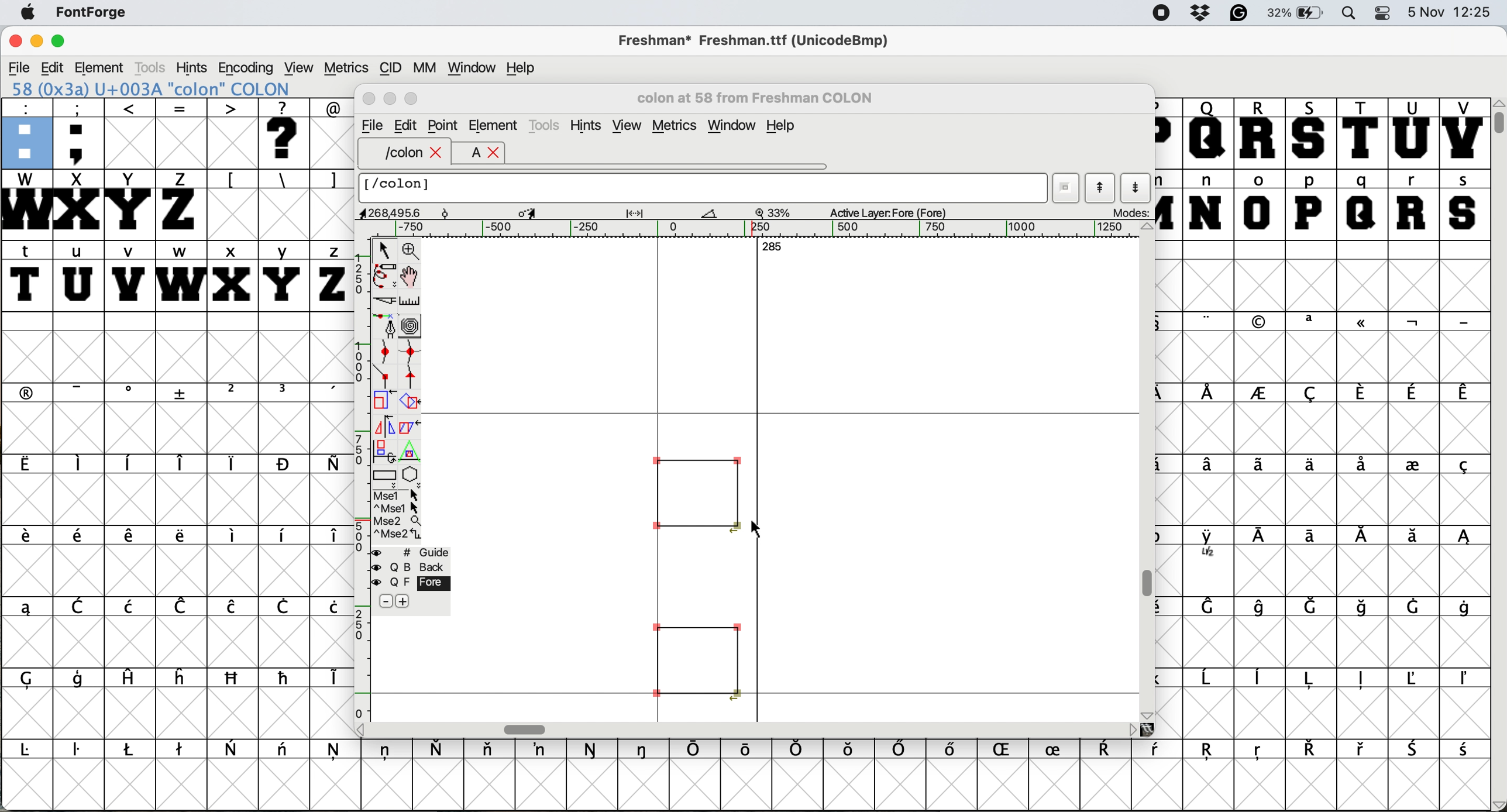  I want to click on add a curve point horizontal or vertical, so click(410, 349).